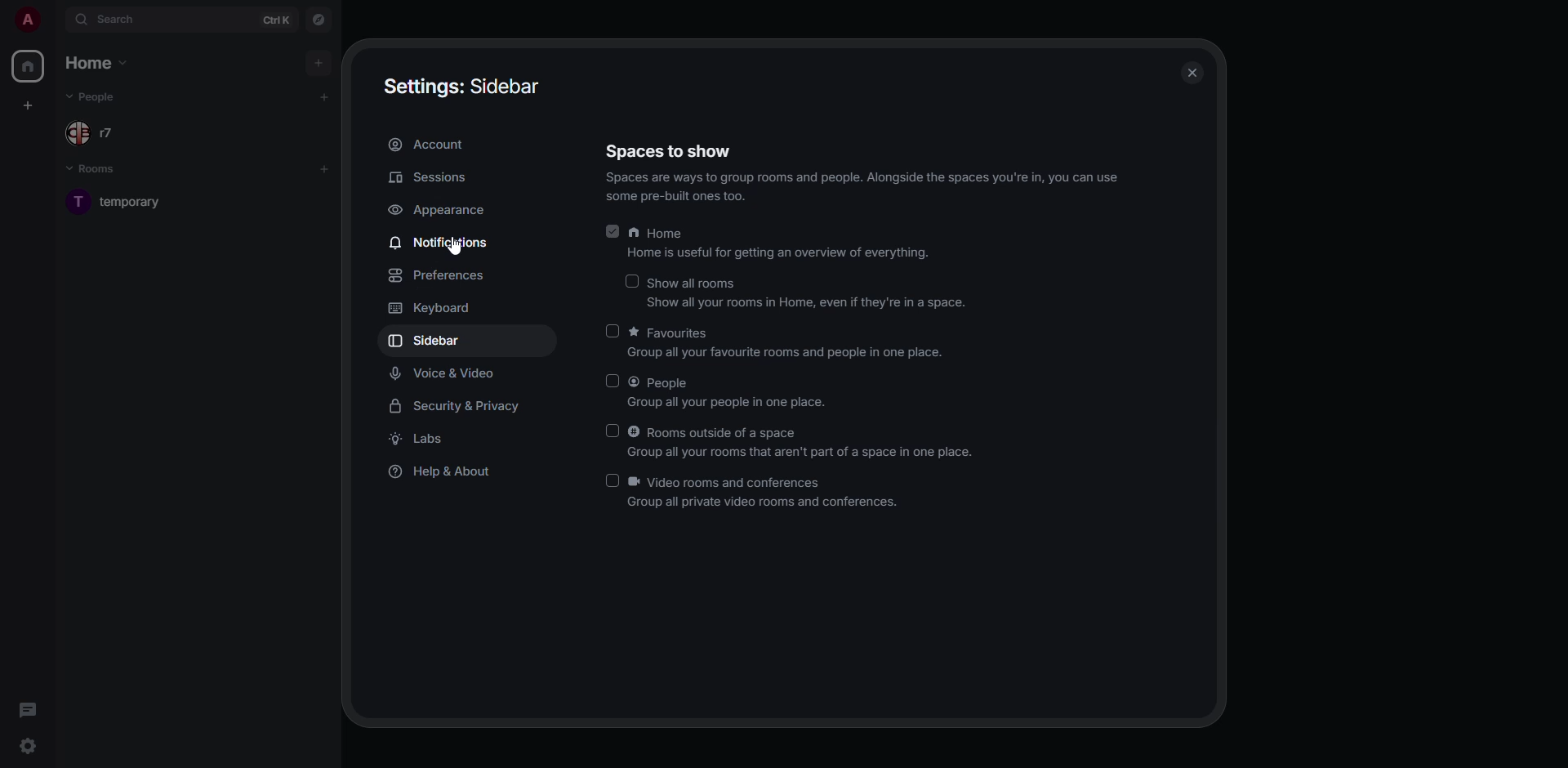 The image size is (1568, 768). What do you see at coordinates (443, 475) in the screenshot?
I see `help & about` at bounding box center [443, 475].